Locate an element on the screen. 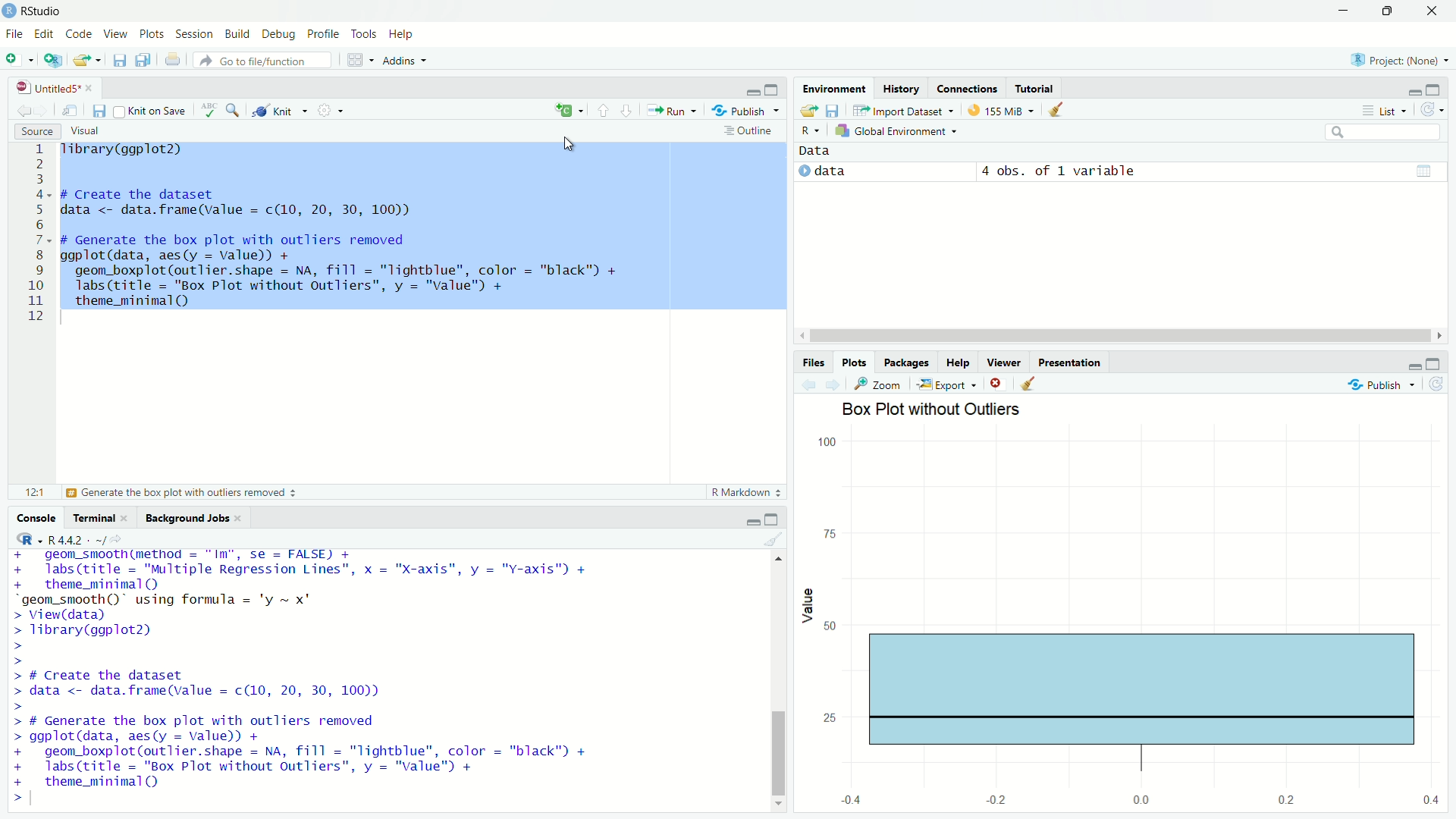  Edit is located at coordinates (44, 33).